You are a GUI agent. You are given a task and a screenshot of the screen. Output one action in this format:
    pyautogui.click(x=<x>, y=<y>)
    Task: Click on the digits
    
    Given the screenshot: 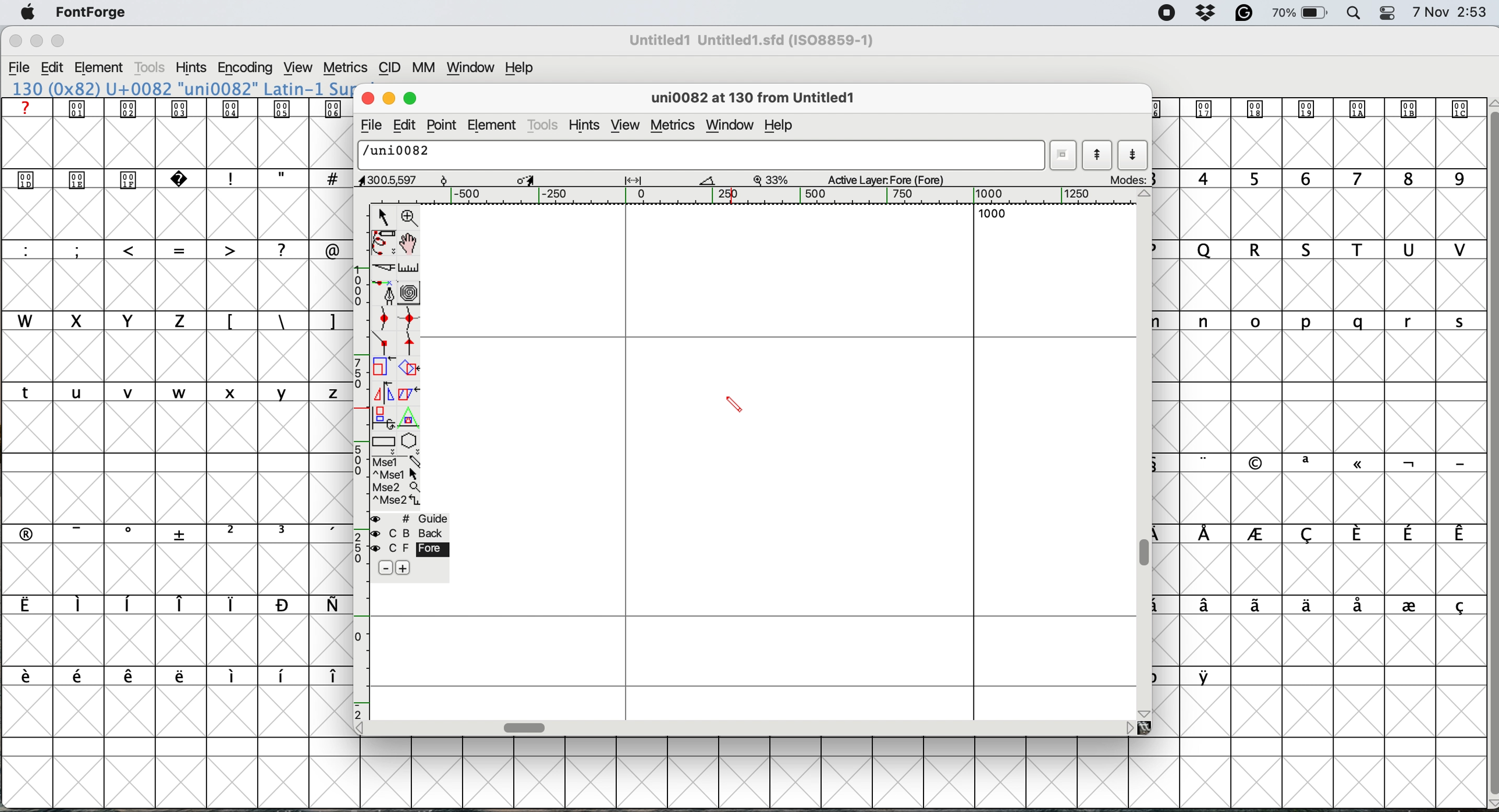 What is the action you would take?
    pyautogui.click(x=1315, y=180)
    